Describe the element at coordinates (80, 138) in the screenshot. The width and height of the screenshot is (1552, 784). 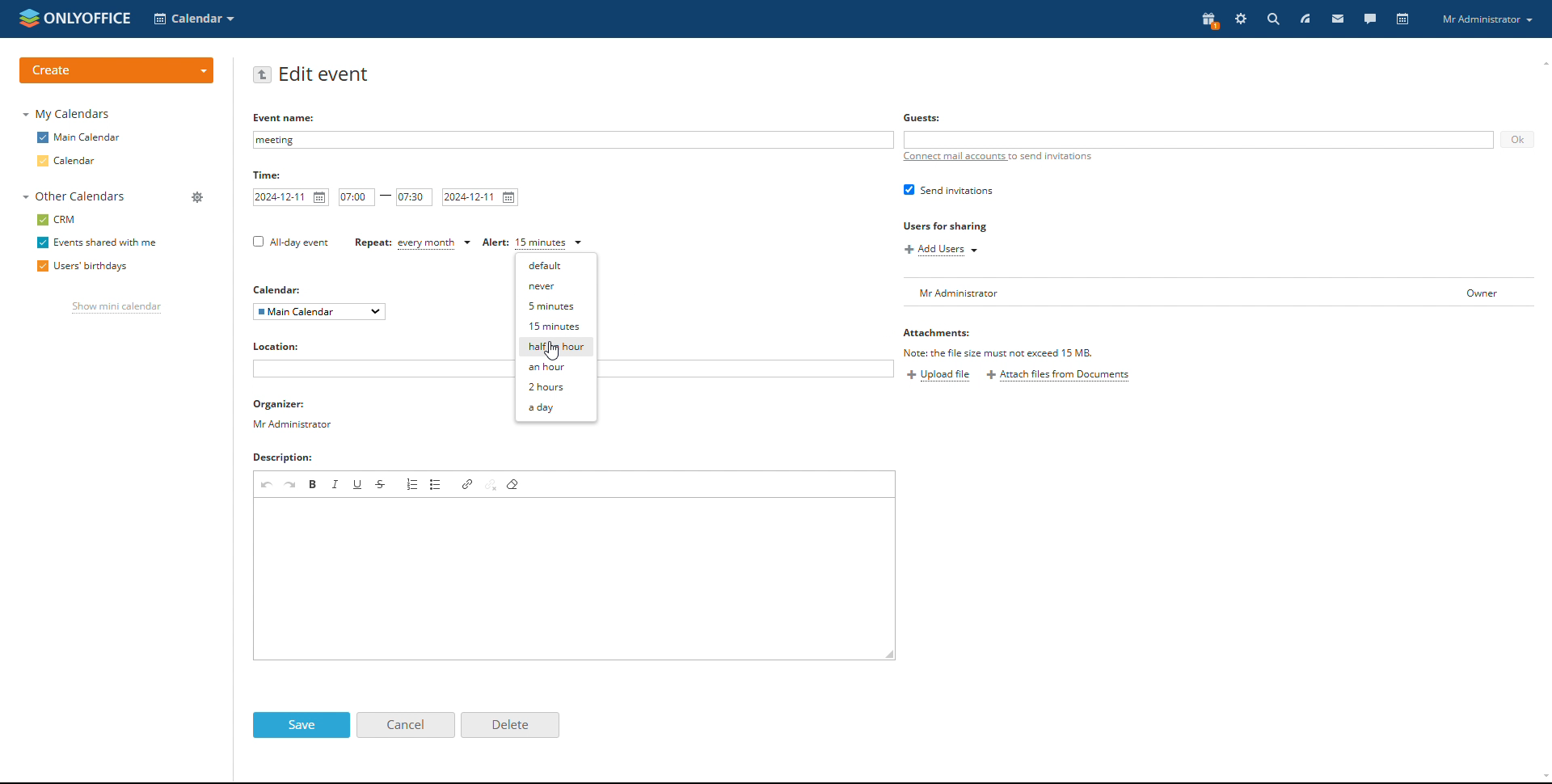
I see `main calendar` at that location.